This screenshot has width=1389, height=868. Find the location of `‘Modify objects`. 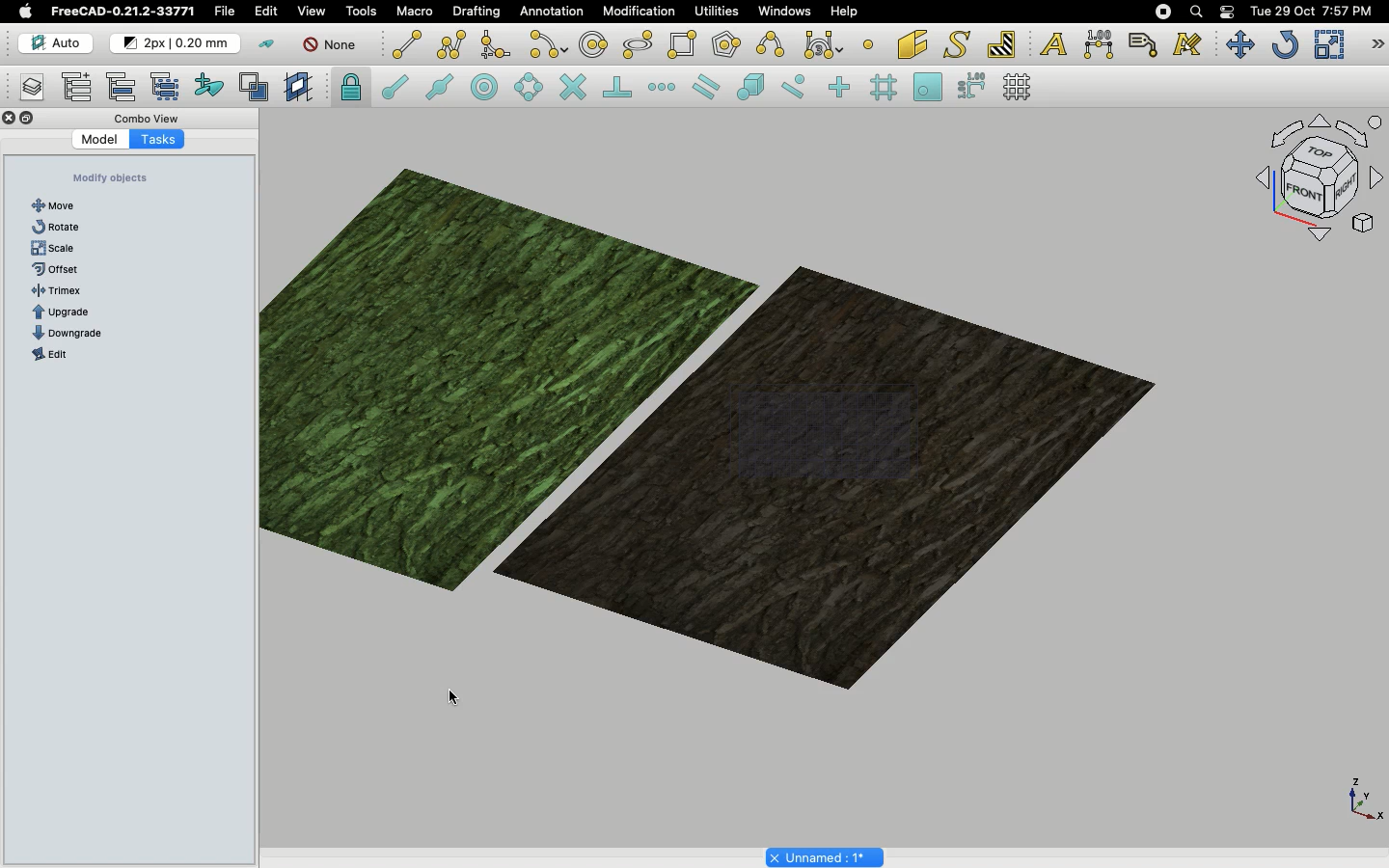

‘Modify objects is located at coordinates (114, 177).